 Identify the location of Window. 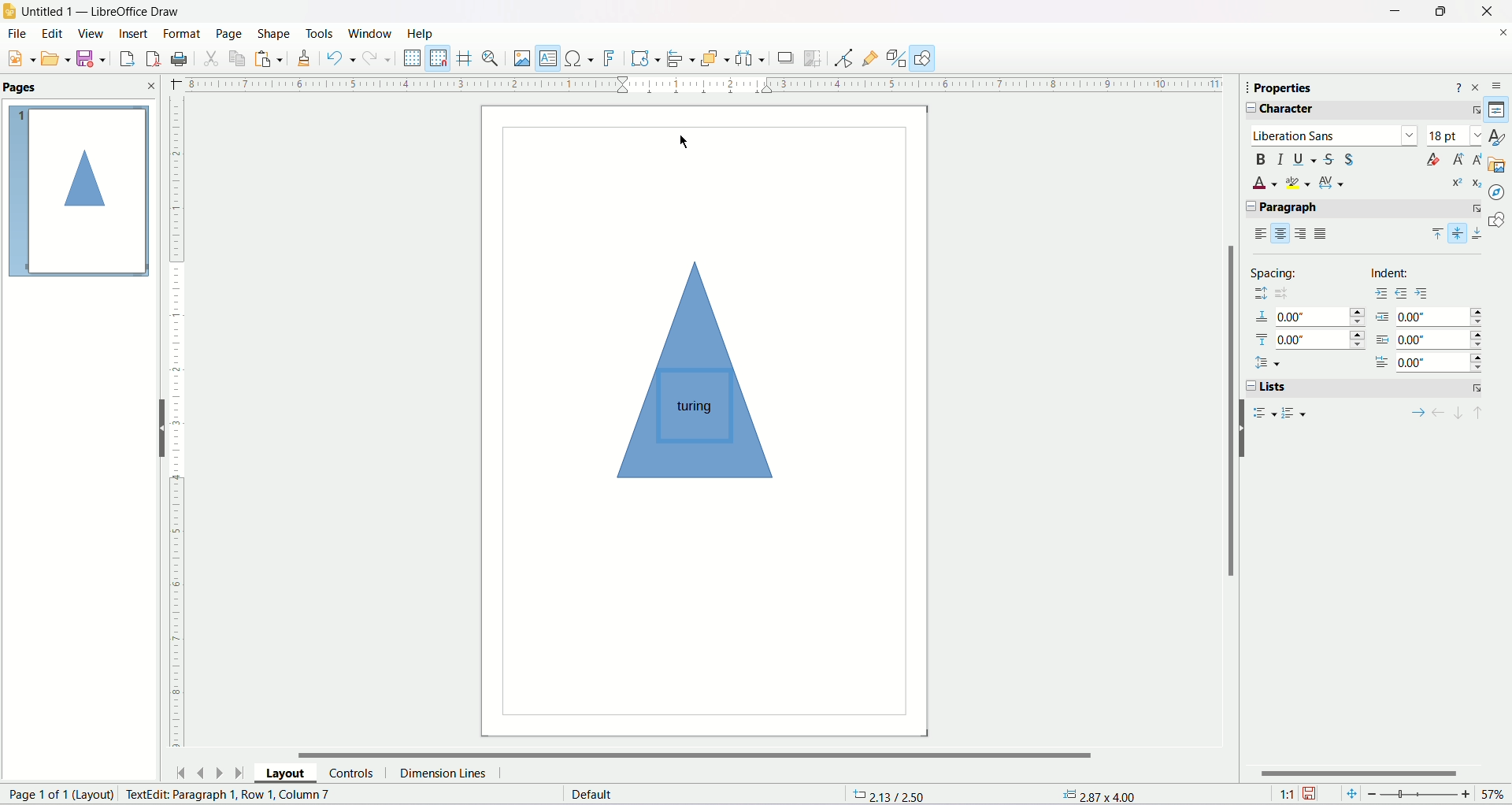
(369, 33).